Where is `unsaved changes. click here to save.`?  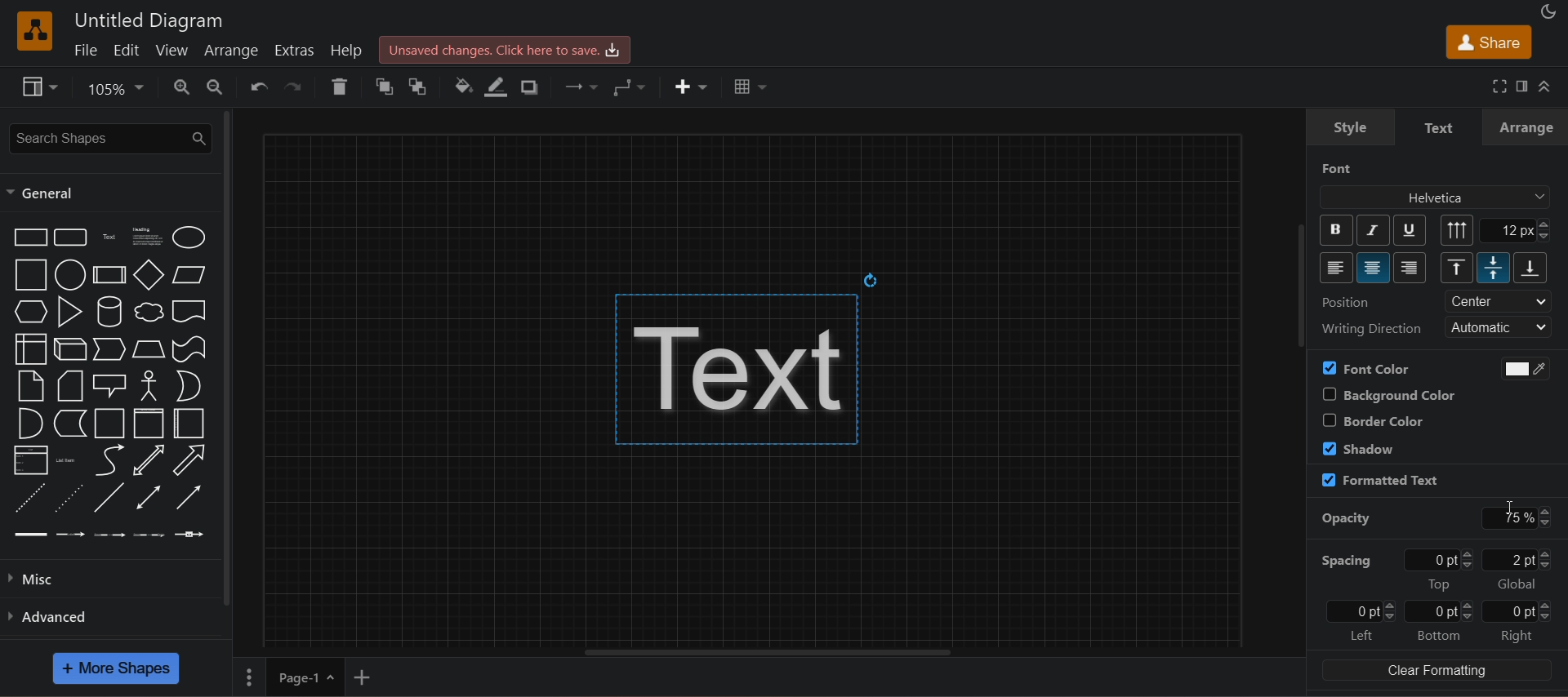 unsaved changes. click here to save. is located at coordinates (506, 50).